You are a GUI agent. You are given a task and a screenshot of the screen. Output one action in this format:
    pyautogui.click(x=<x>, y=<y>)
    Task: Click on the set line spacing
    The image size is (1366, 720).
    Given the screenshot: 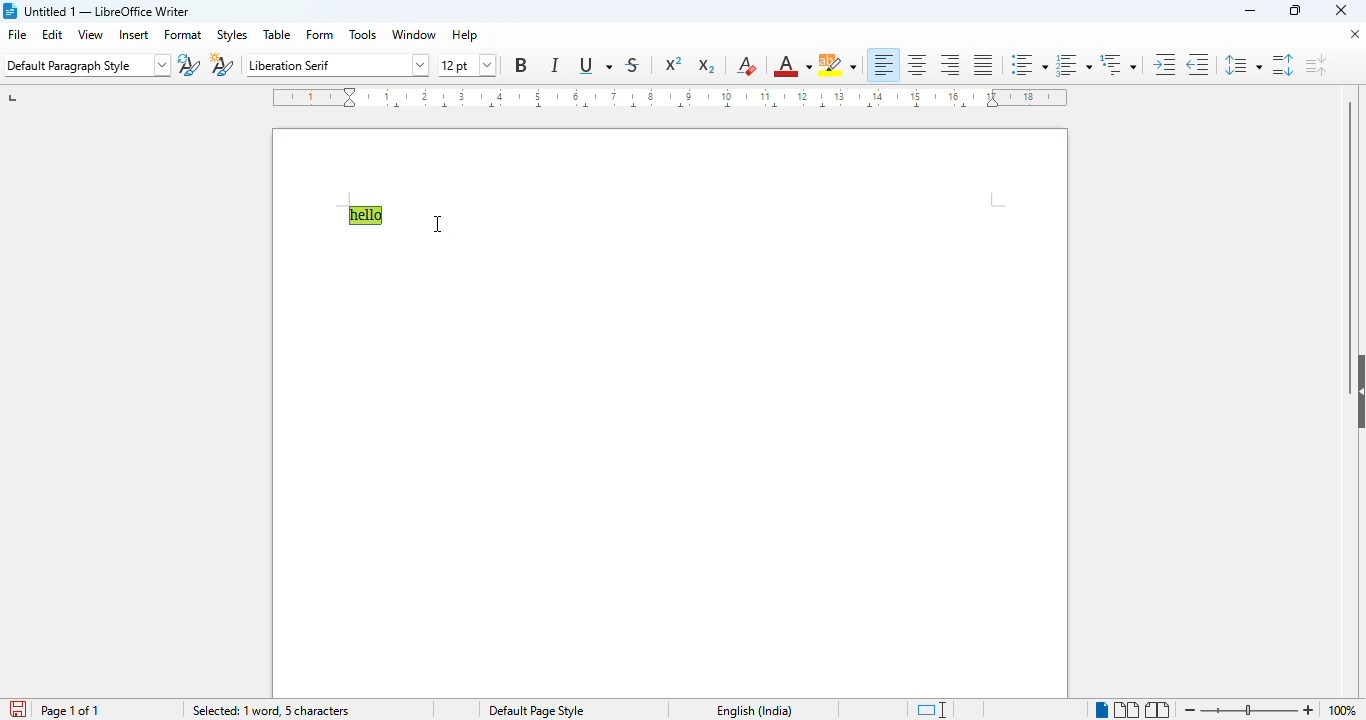 What is the action you would take?
    pyautogui.click(x=1241, y=65)
    